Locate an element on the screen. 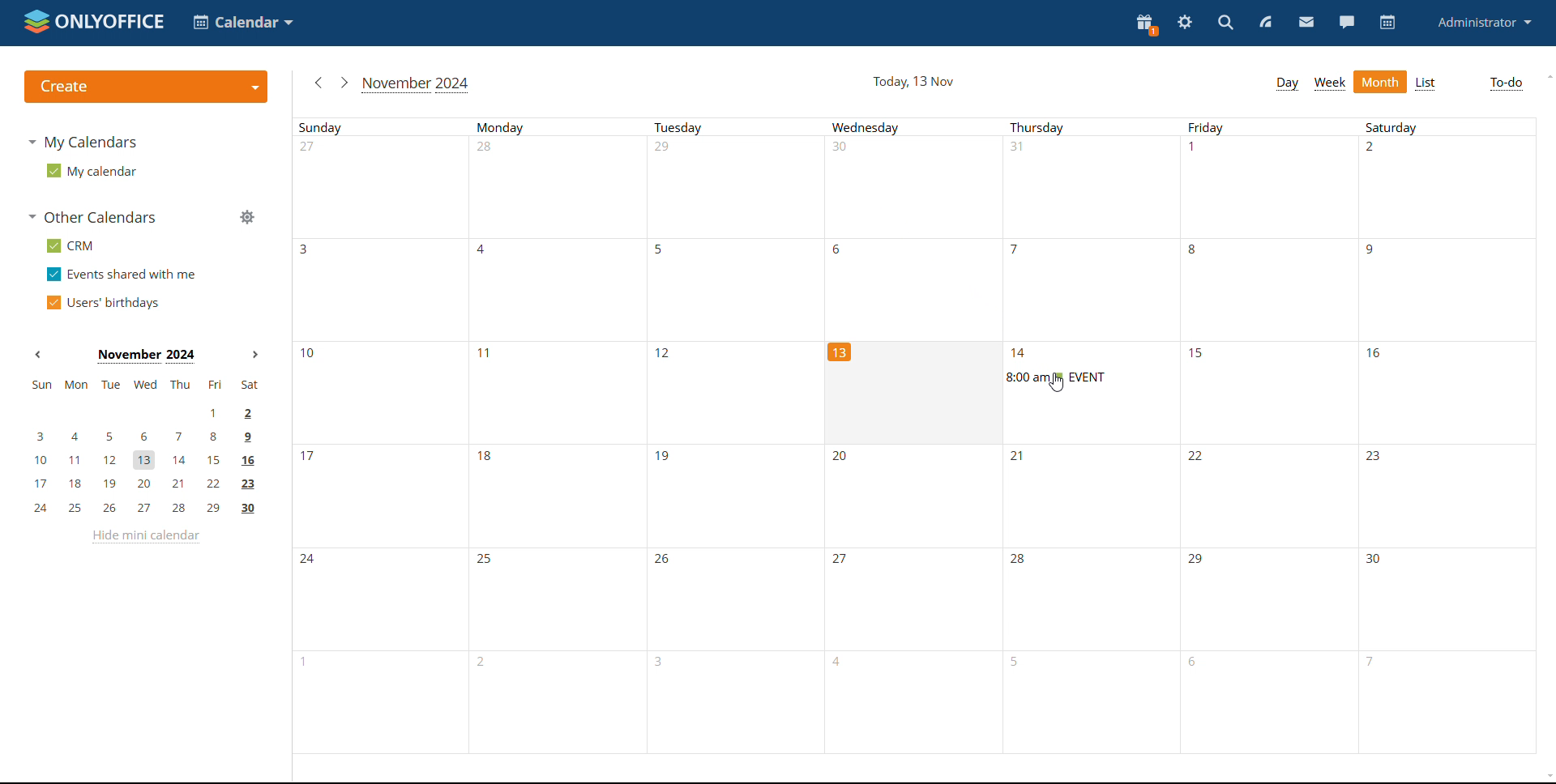  cell for current day is located at coordinates (918, 390).